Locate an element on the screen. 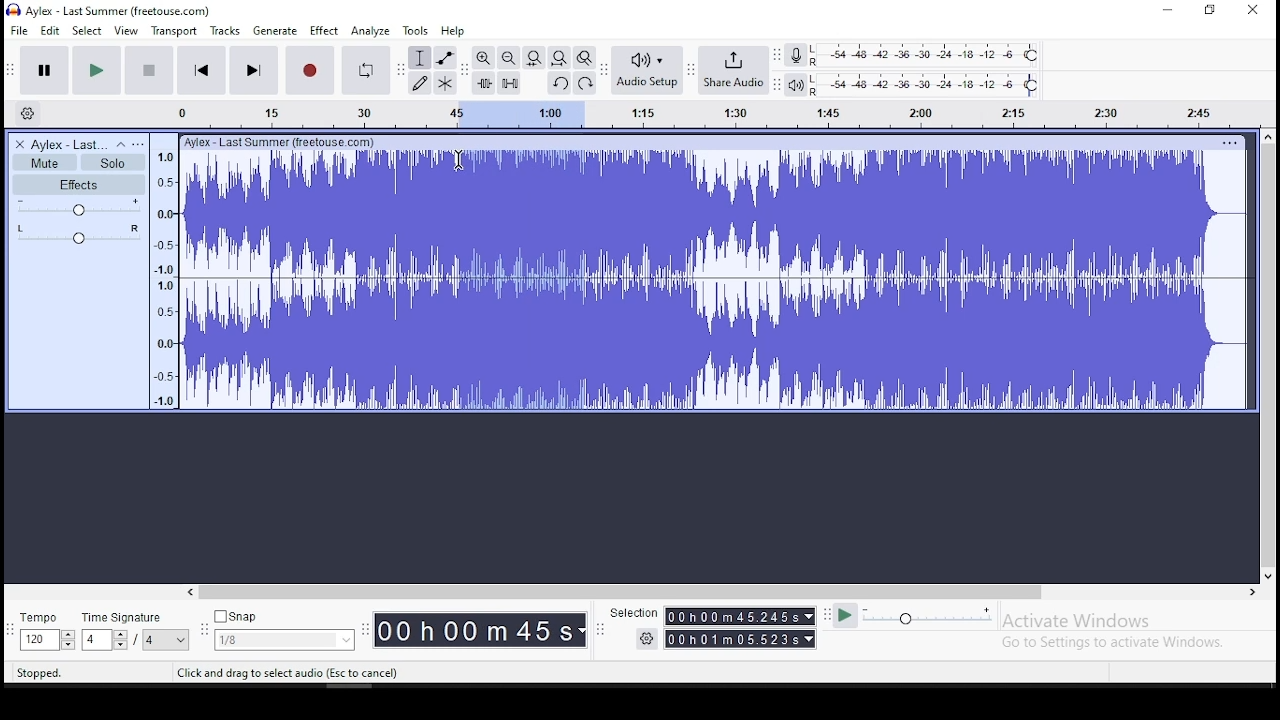  playback speed is located at coordinates (928, 617).